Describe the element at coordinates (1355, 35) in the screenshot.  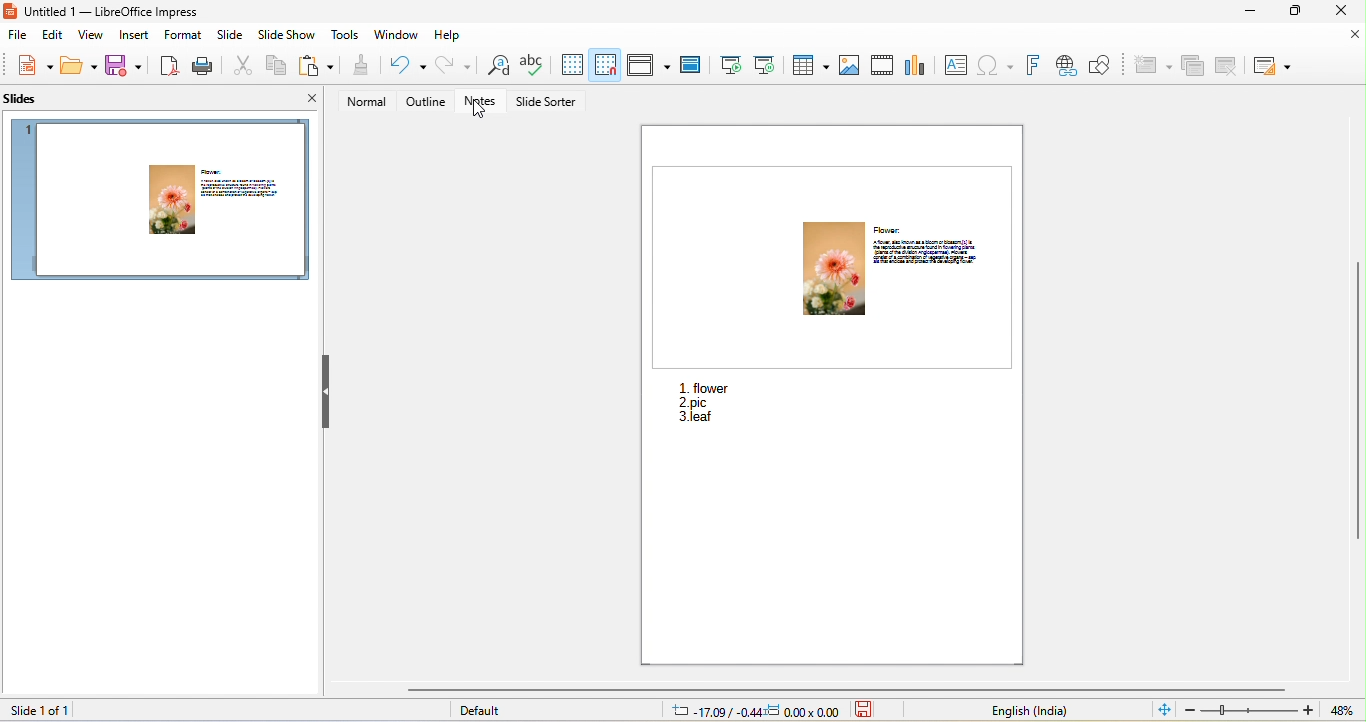
I see `close` at that location.